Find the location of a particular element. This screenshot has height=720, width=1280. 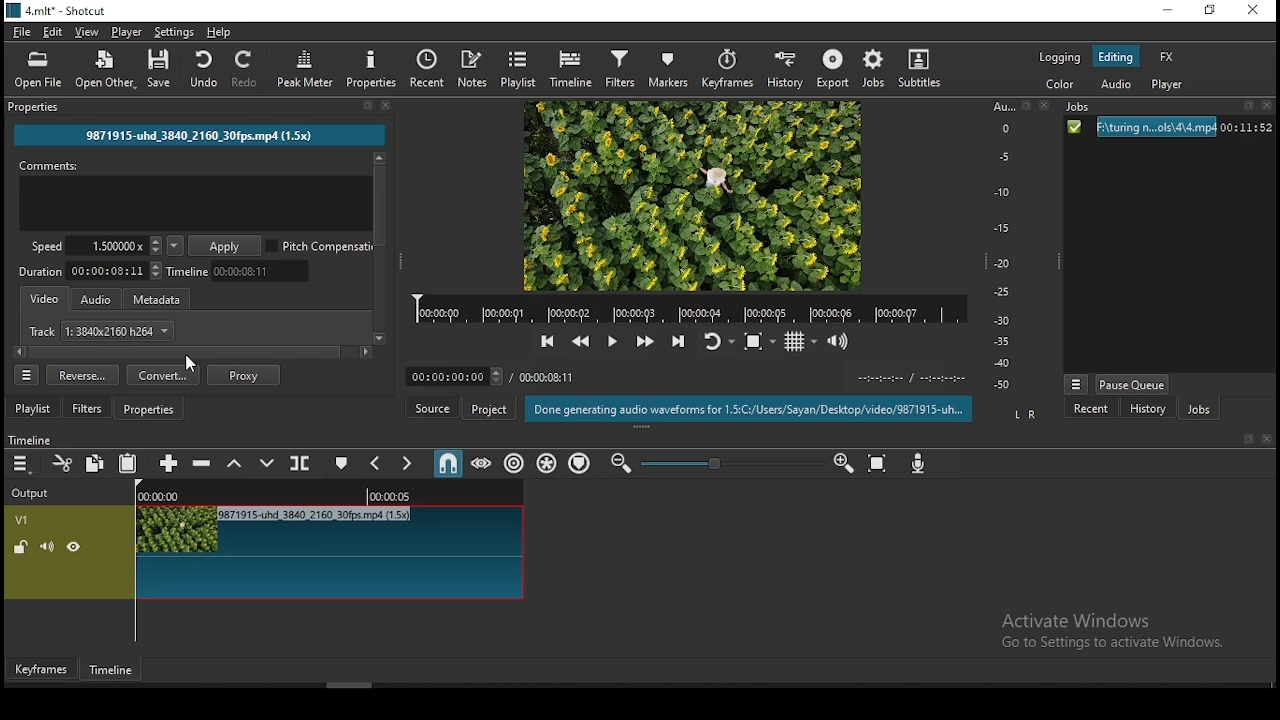

mouse pointer is located at coordinates (259, 542).